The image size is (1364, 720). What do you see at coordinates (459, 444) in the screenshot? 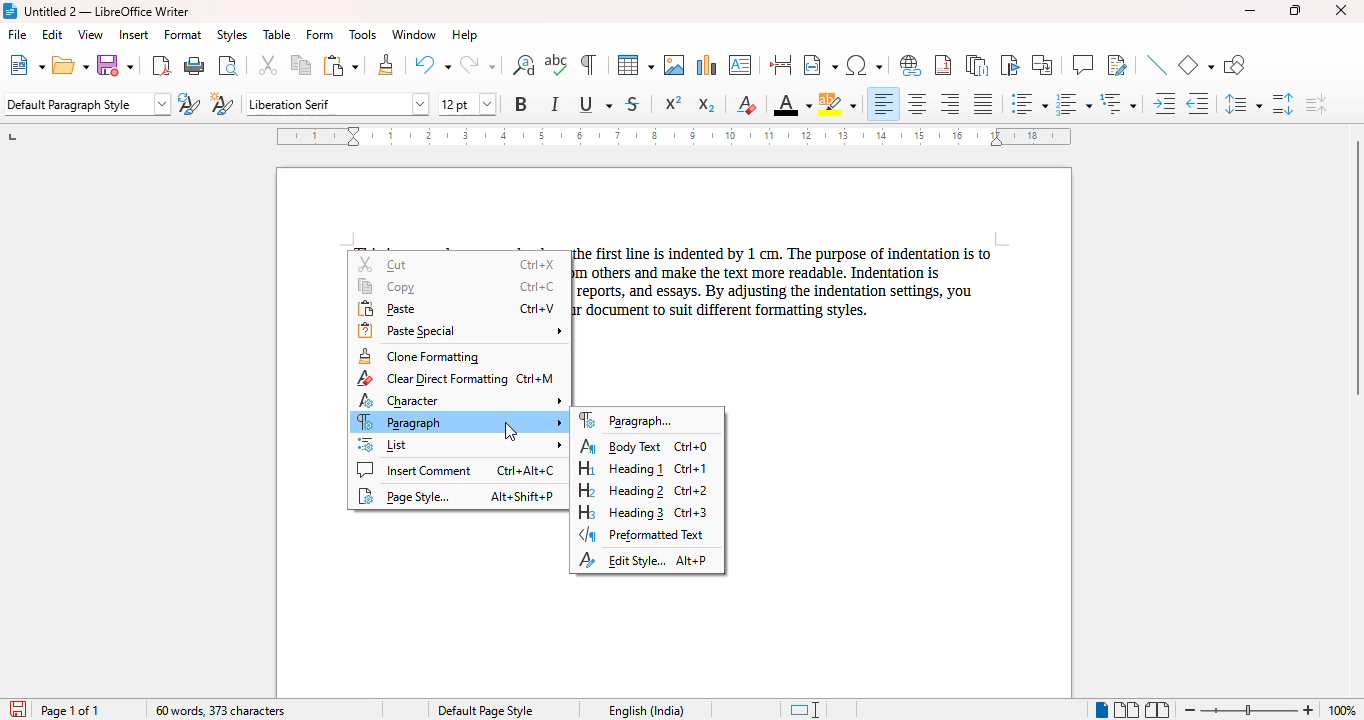
I see `list` at bounding box center [459, 444].